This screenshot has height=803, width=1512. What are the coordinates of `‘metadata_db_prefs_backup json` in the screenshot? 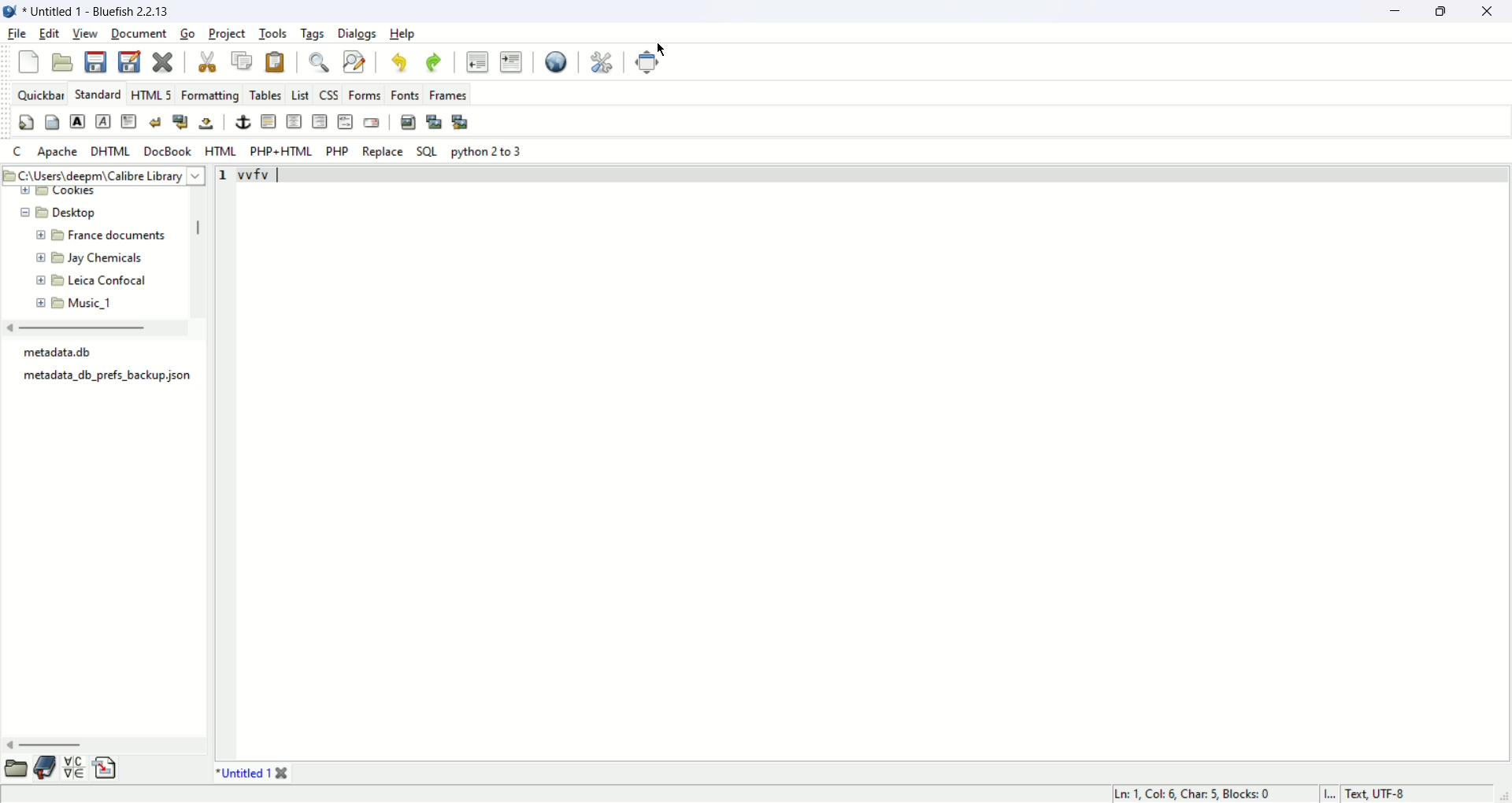 It's located at (105, 377).